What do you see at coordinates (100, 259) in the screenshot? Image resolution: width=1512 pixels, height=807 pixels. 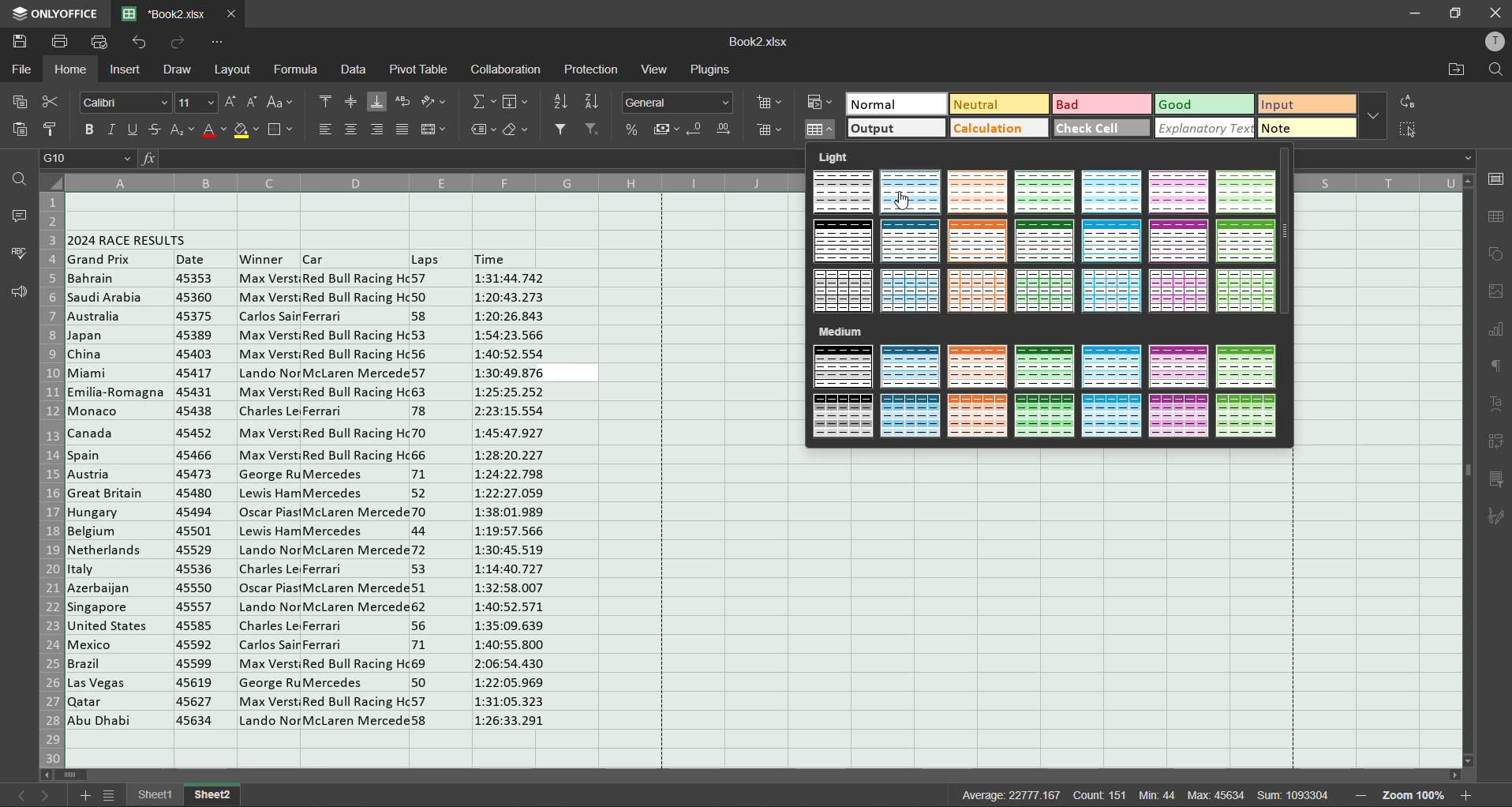 I see `grand prix` at bounding box center [100, 259].